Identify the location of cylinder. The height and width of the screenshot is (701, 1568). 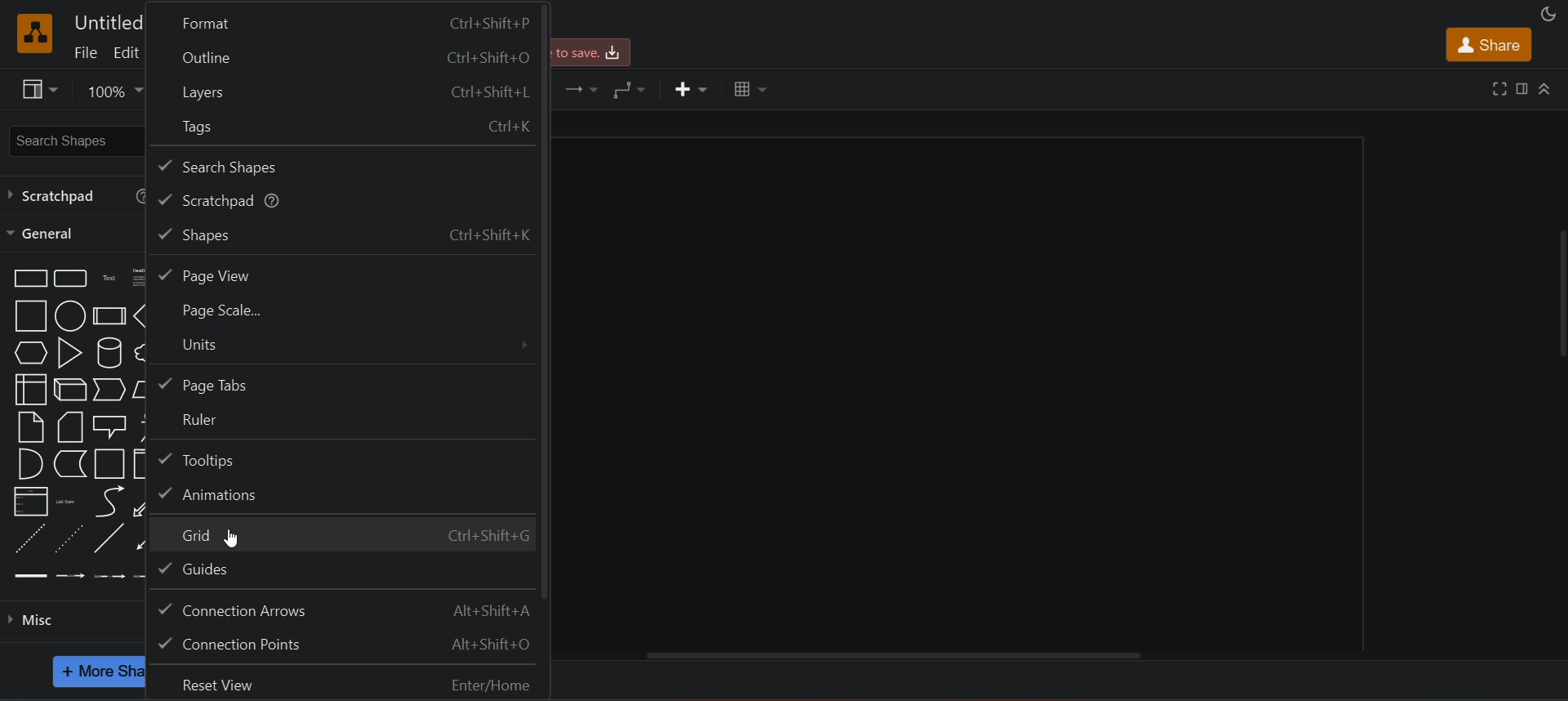
(109, 351).